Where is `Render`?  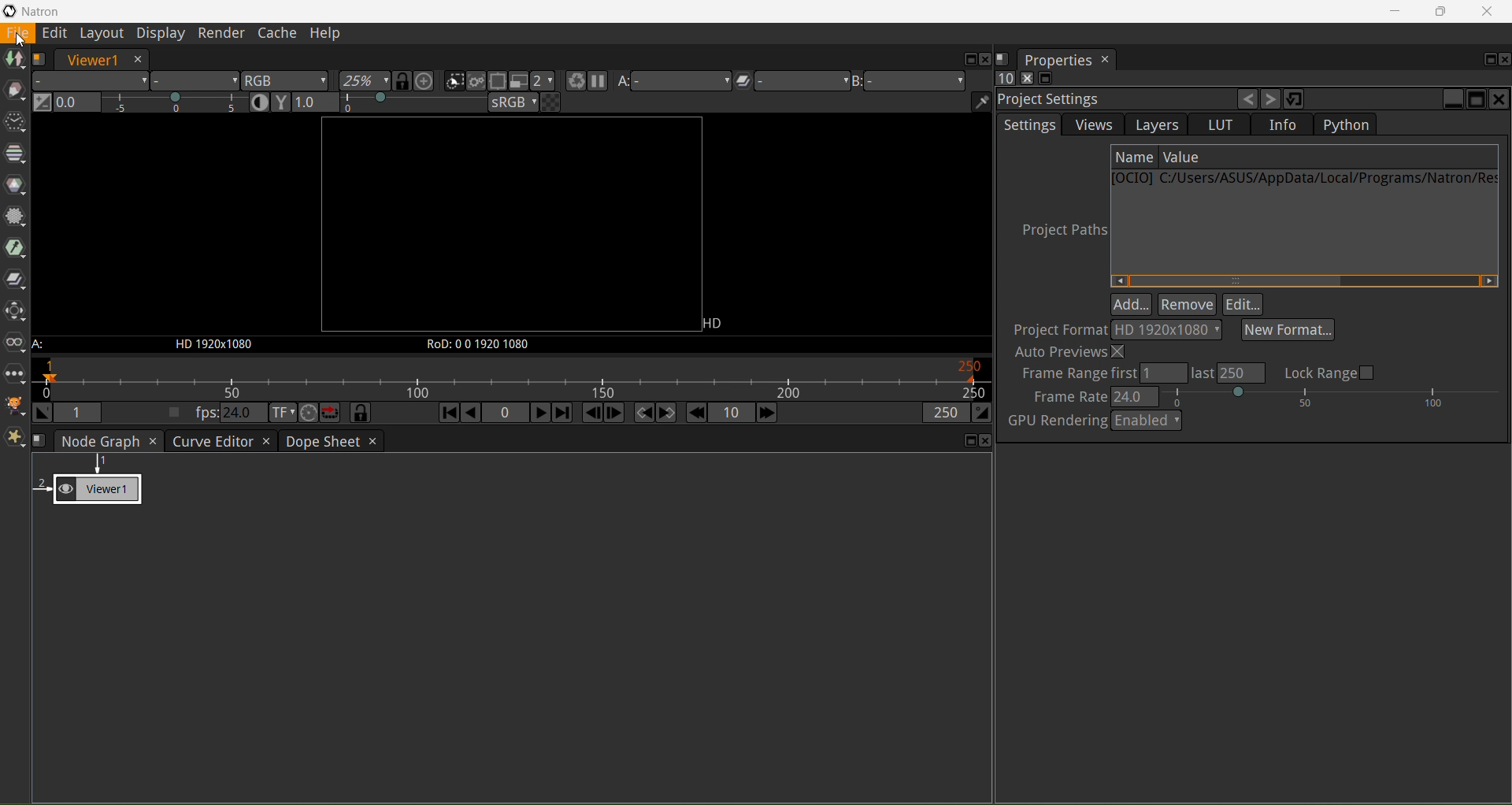
Render is located at coordinates (222, 34).